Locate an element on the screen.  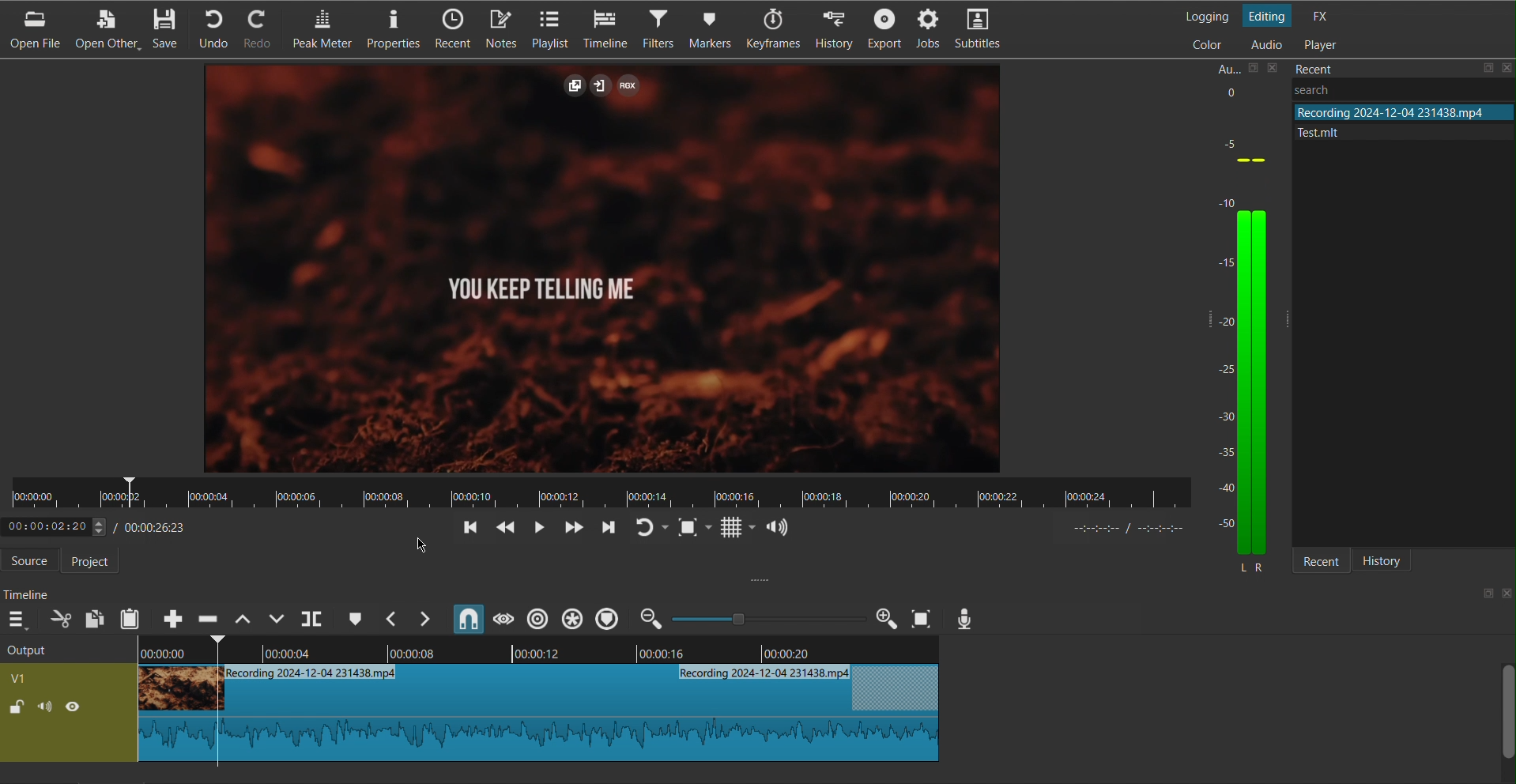
Cue is located at coordinates (354, 617).